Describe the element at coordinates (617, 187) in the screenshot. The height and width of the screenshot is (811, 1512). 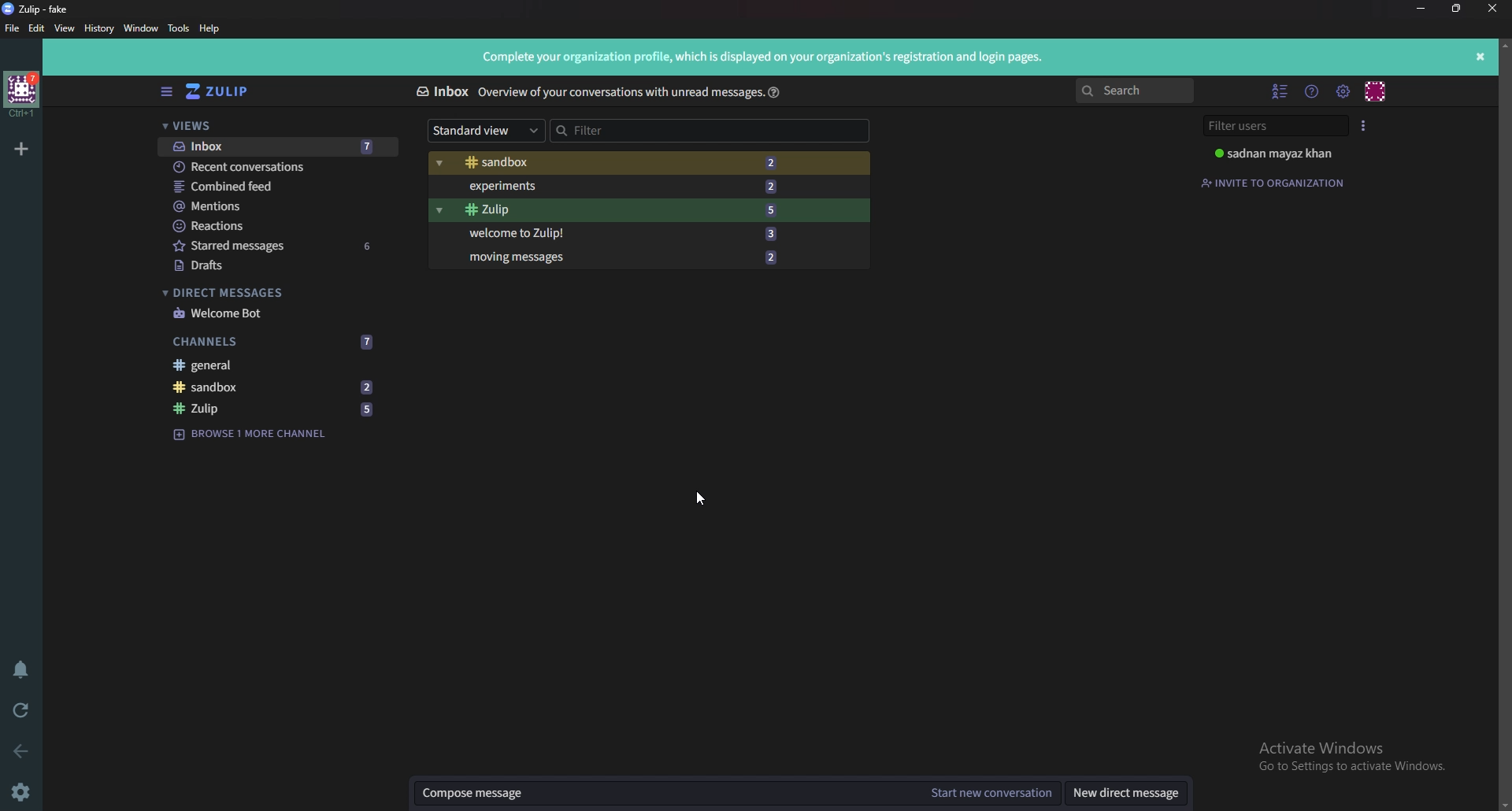
I see `Experiments` at that location.